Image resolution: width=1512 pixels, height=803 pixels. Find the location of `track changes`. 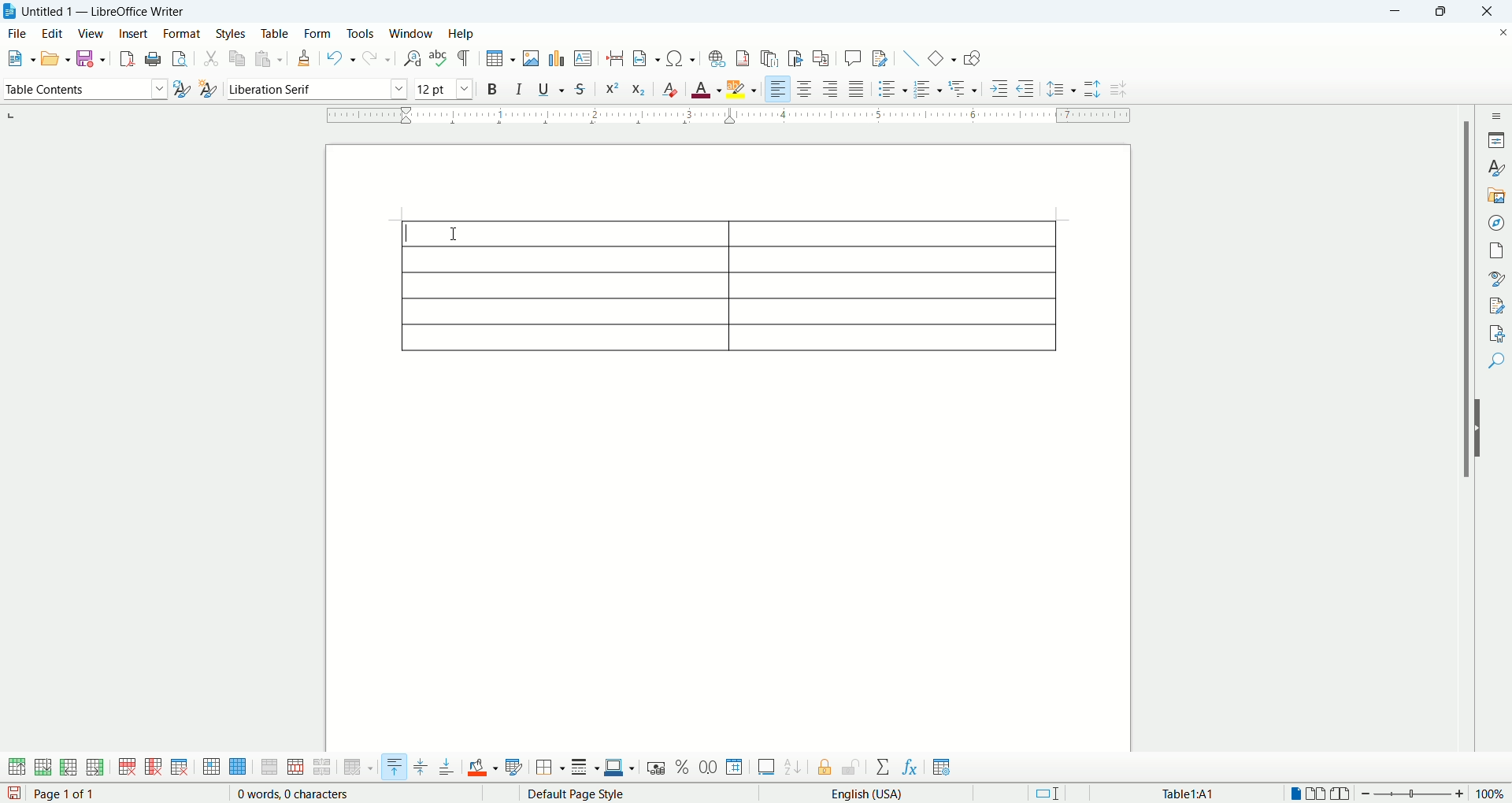

track changes is located at coordinates (881, 57).